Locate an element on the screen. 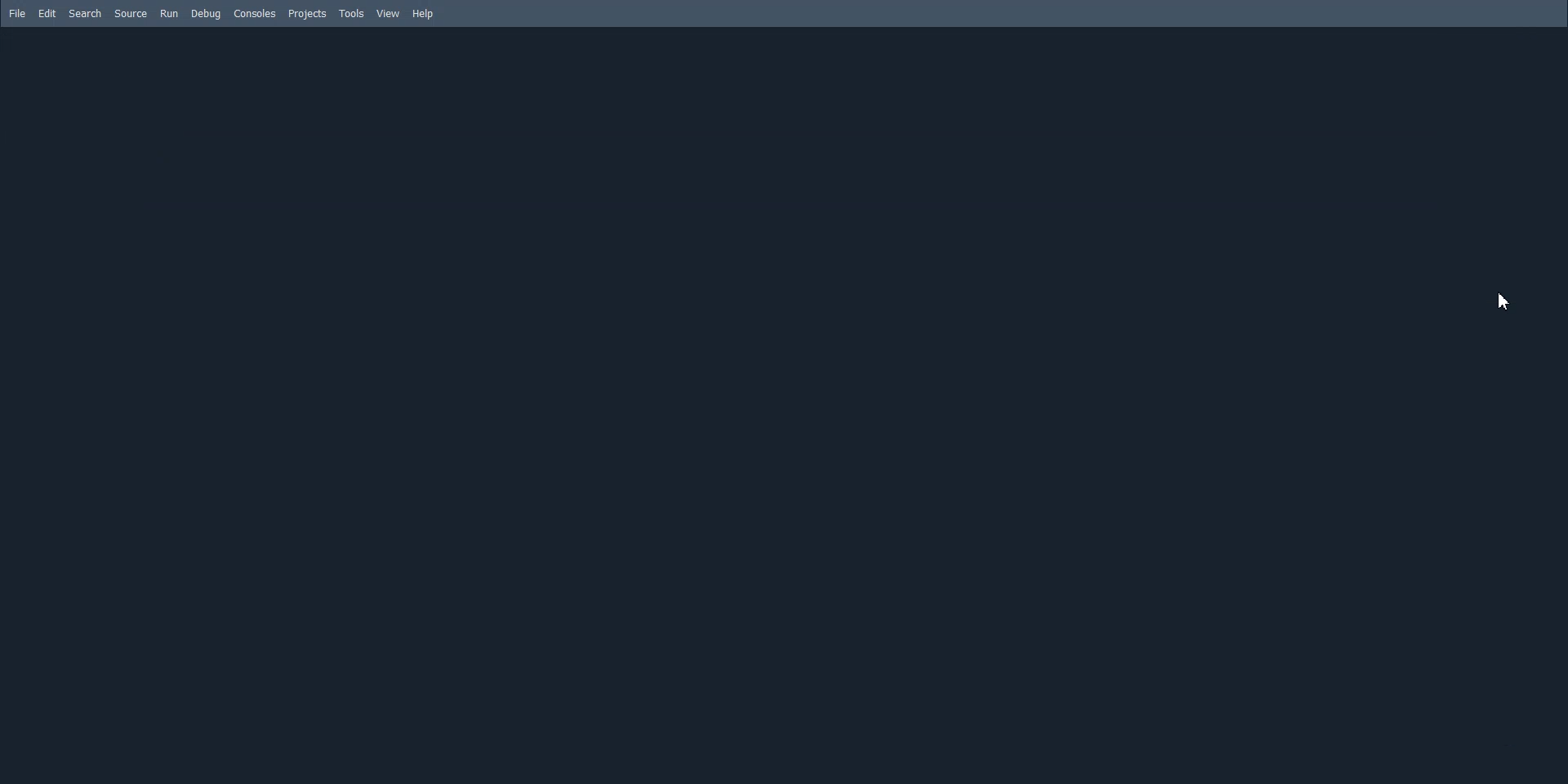 The width and height of the screenshot is (1568, 784). Edit is located at coordinates (47, 13).